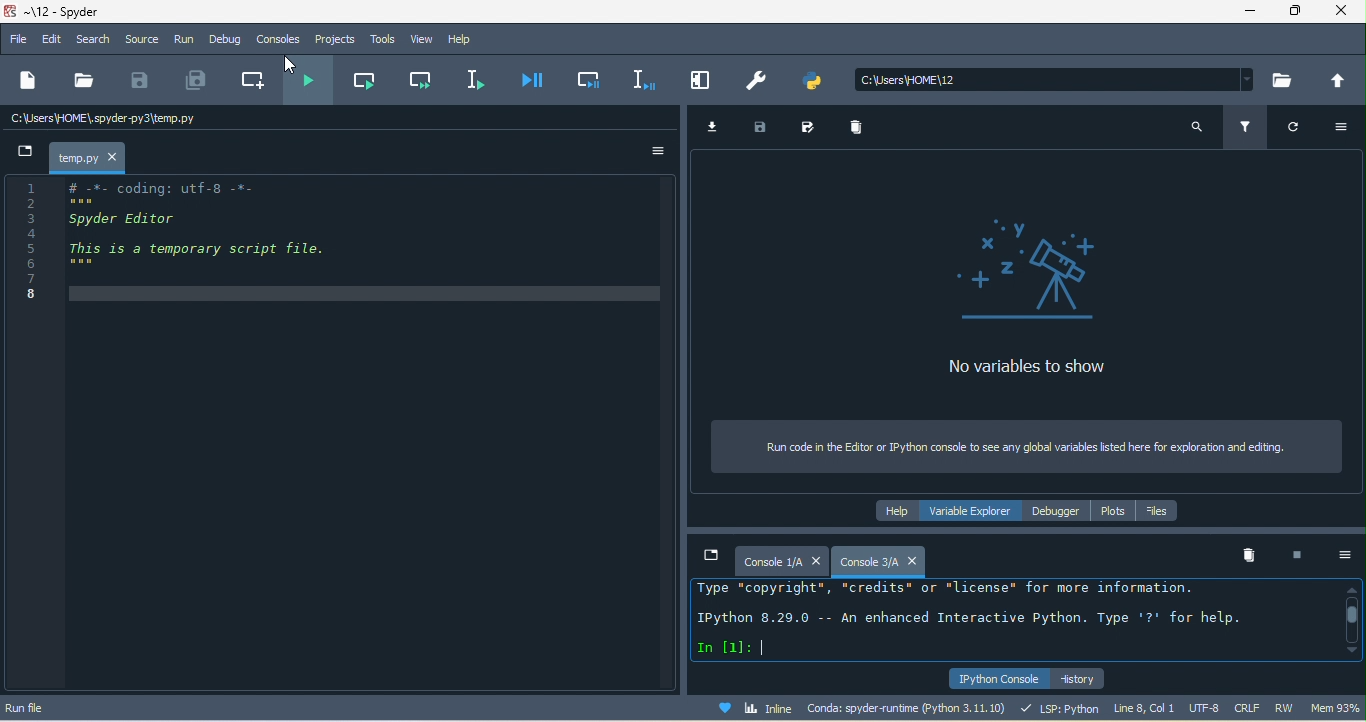 This screenshot has width=1366, height=722. What do you see at coordinates (709, 556) in the screenshot?
I see `browse tabs` at bounding box center [709, 556].